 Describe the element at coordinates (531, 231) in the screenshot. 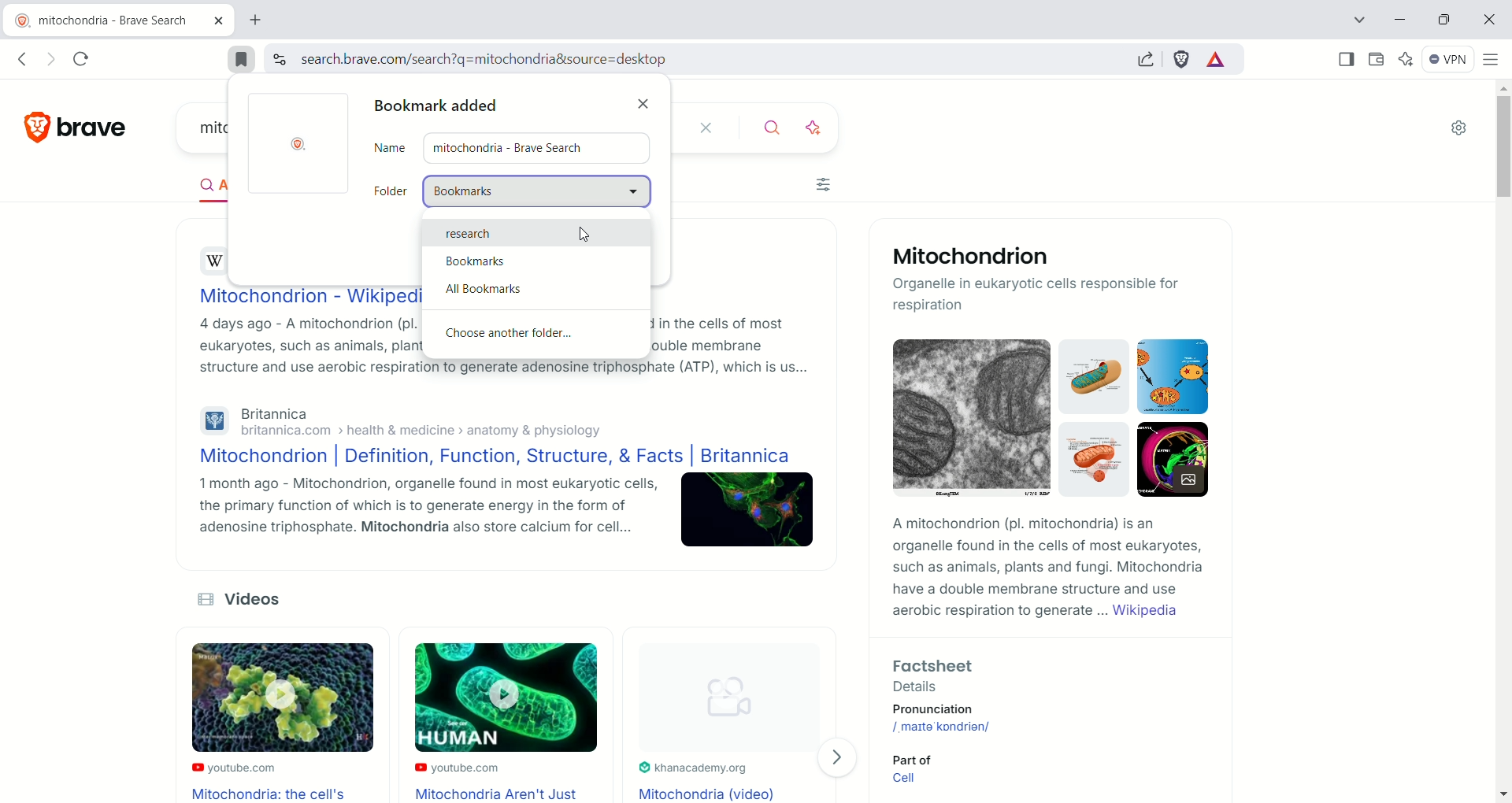

I see `research` at that location.